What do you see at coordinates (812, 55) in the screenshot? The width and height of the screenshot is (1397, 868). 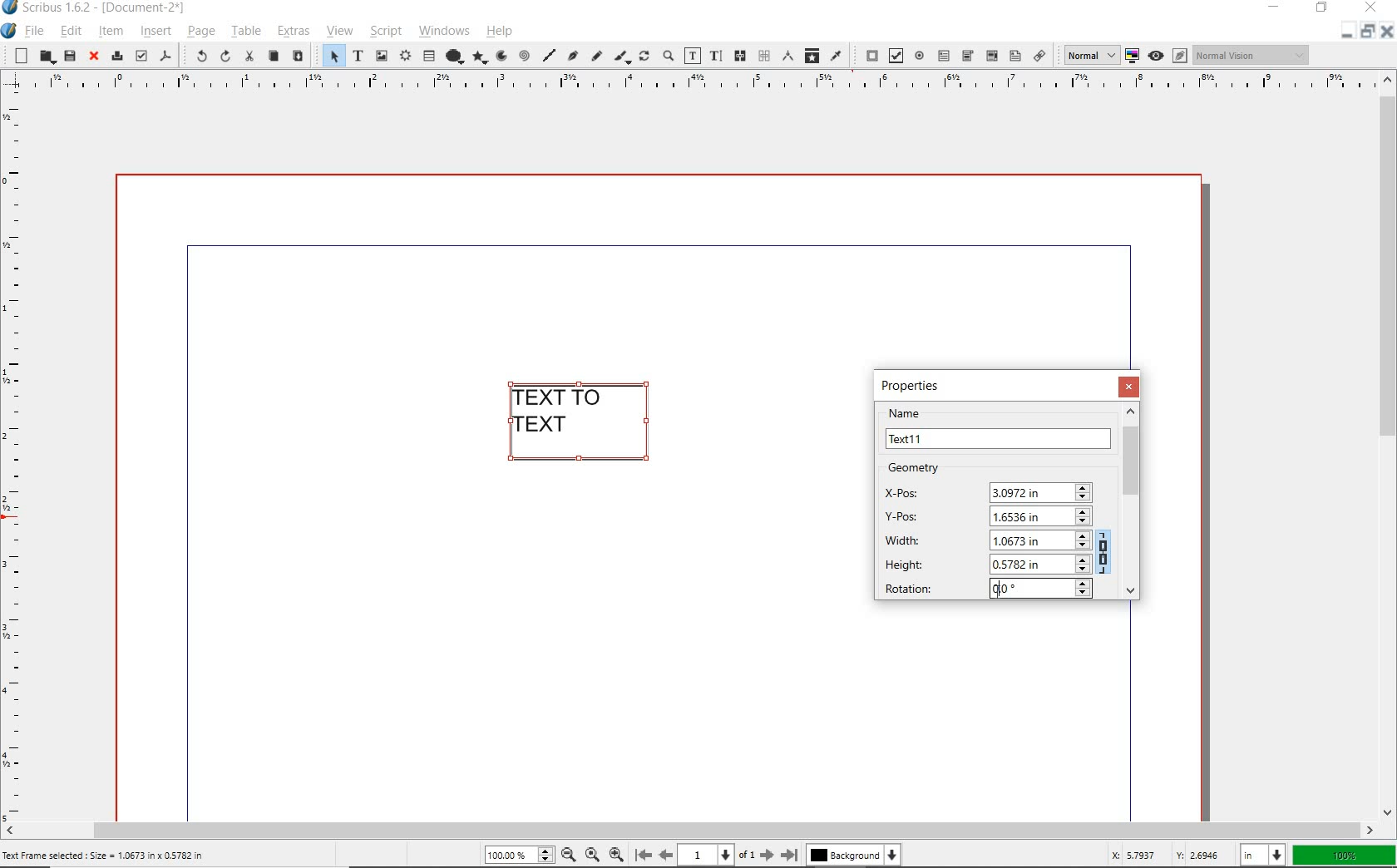 I see `copy item properties` at bounding box center [812, 55].